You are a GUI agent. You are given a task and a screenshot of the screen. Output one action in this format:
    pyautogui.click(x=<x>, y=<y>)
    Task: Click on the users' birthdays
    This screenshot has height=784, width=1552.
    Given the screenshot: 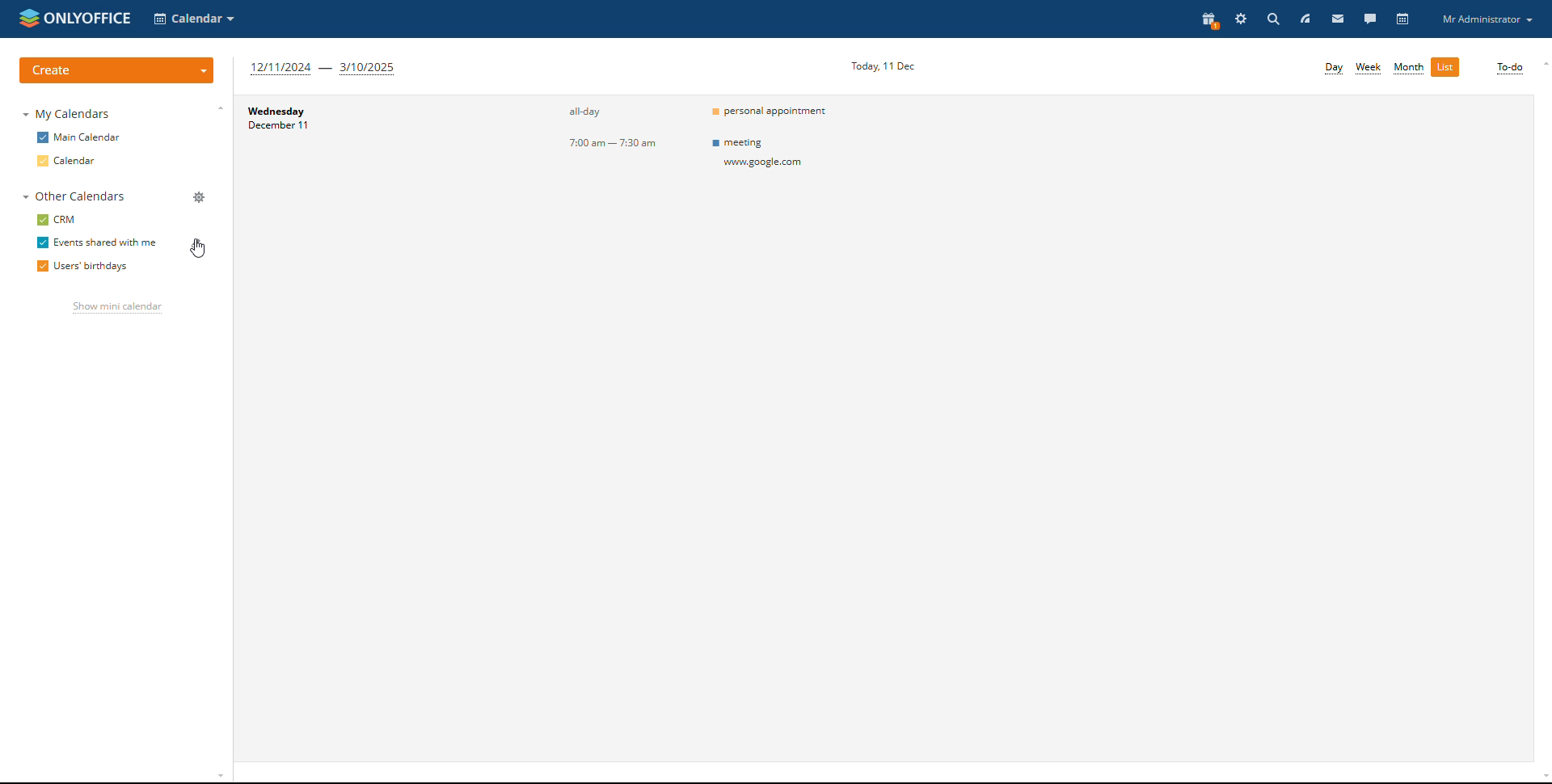 What is the action you would take?
    pyautogui.click(x=80, y=266)
    